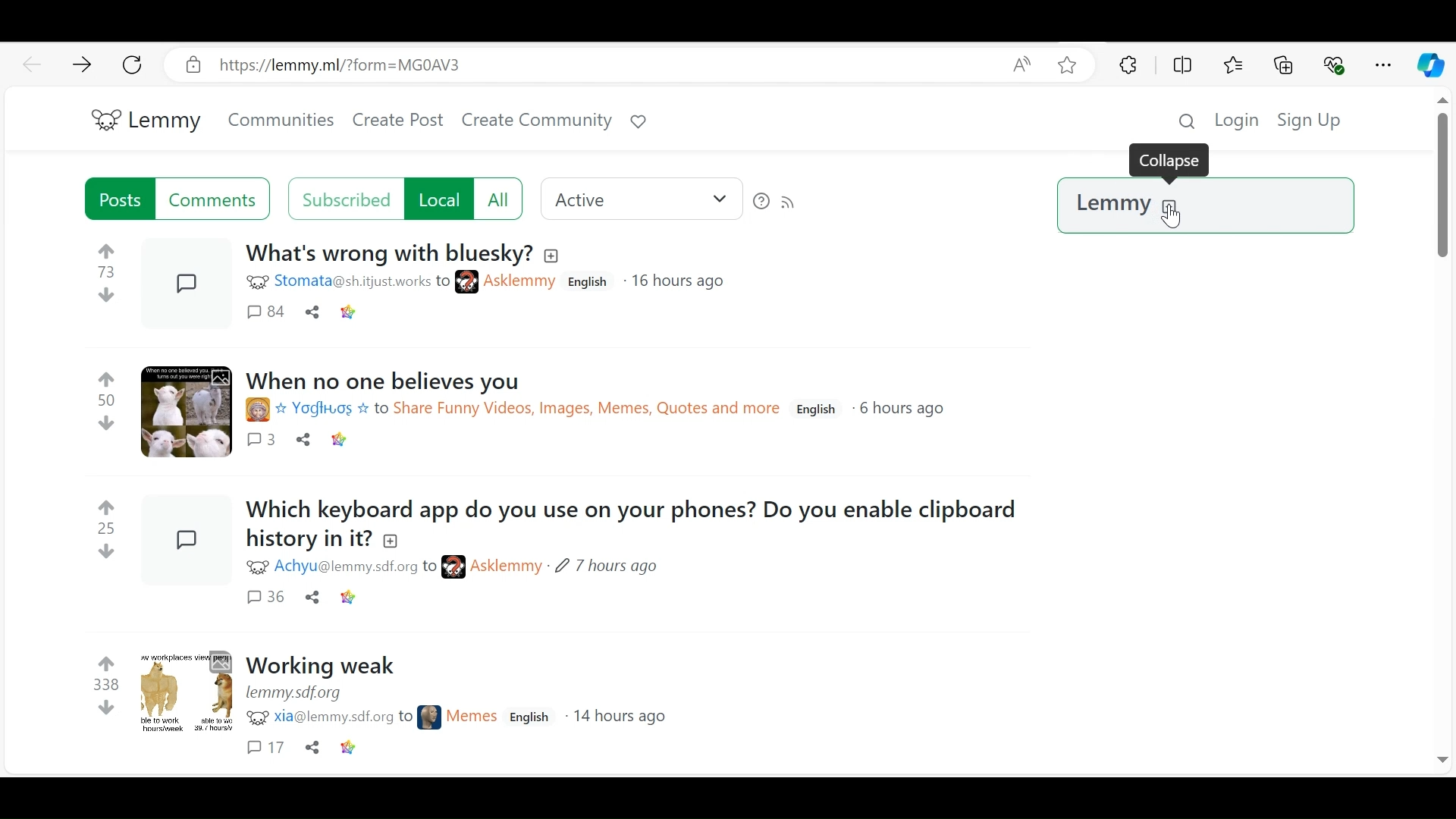 The height and width of the screenshot is (819, 1456). Describe the element at coordinates (589, 284) in the screenshot. I see `language` at that location.